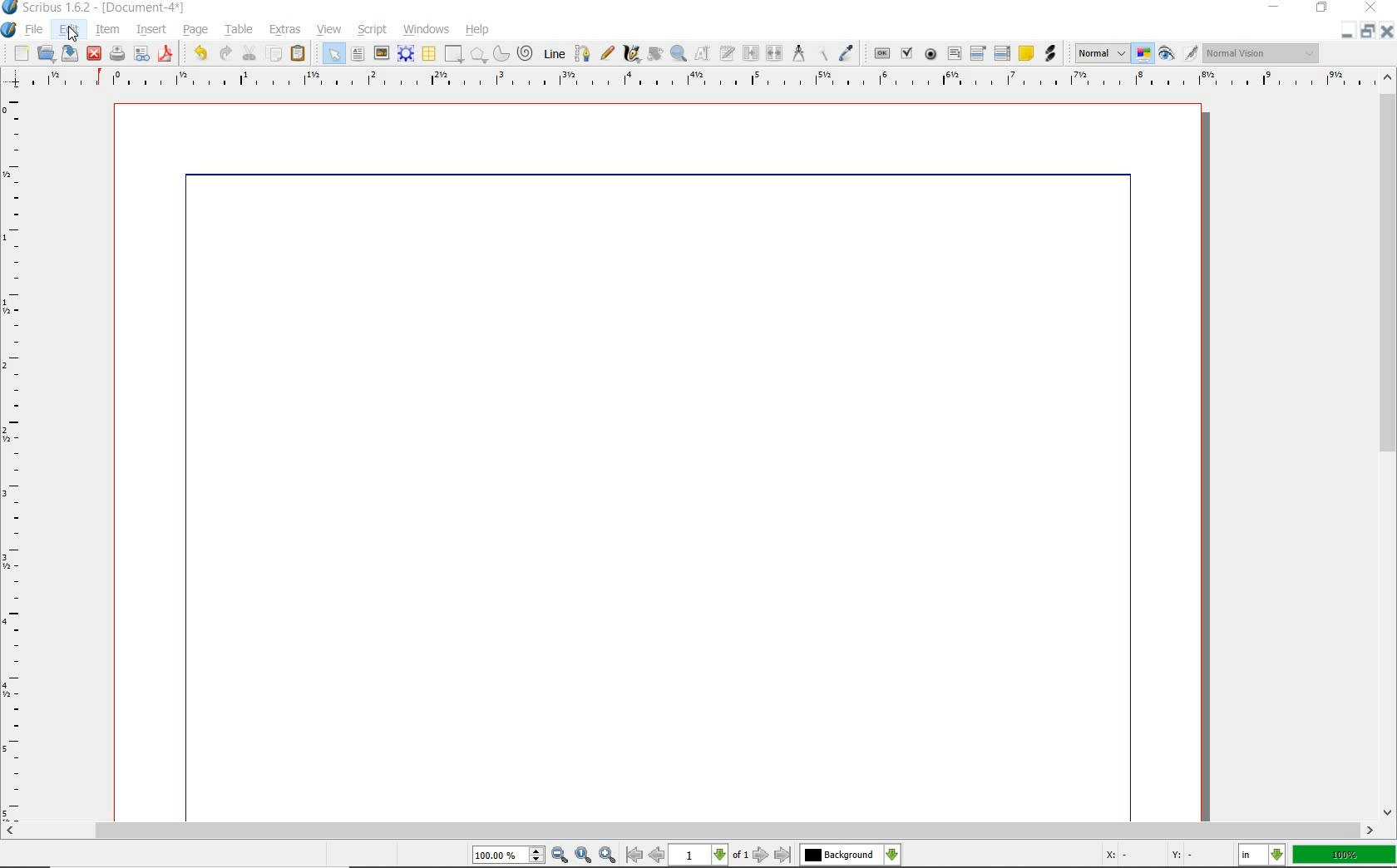  I want to click on script, so click(373, 28).